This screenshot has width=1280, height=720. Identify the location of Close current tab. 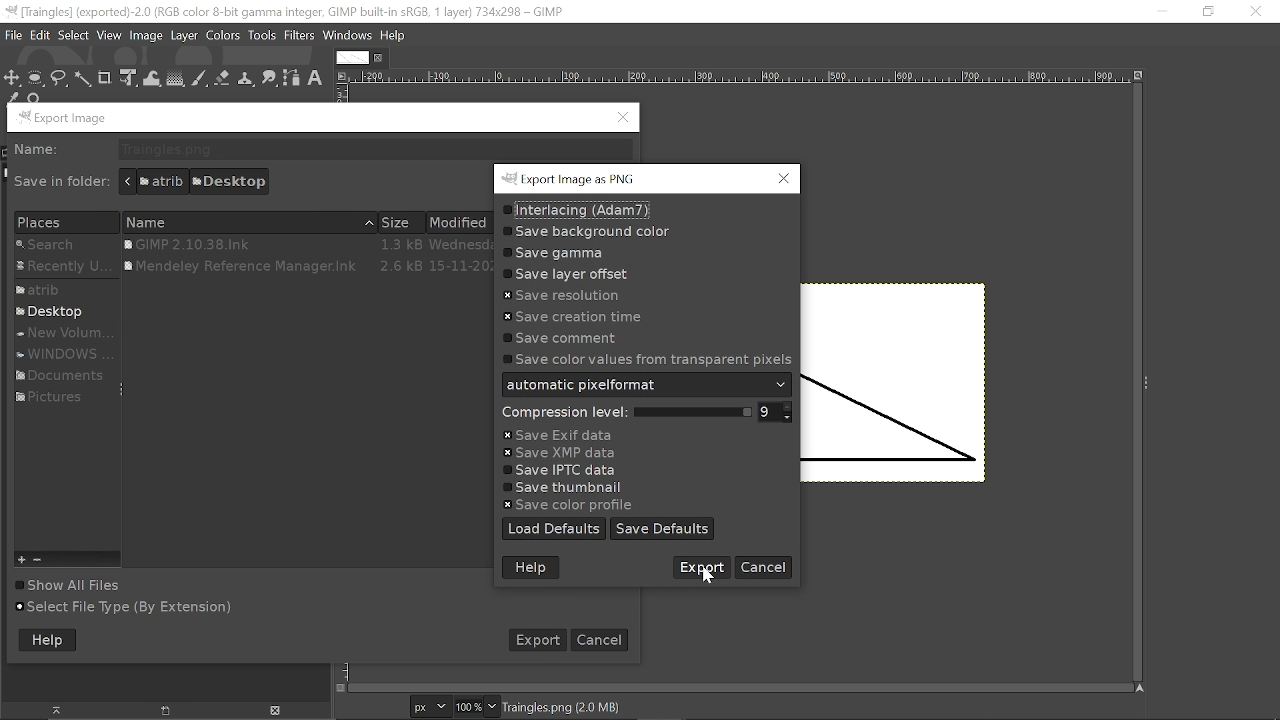
(379, 58).